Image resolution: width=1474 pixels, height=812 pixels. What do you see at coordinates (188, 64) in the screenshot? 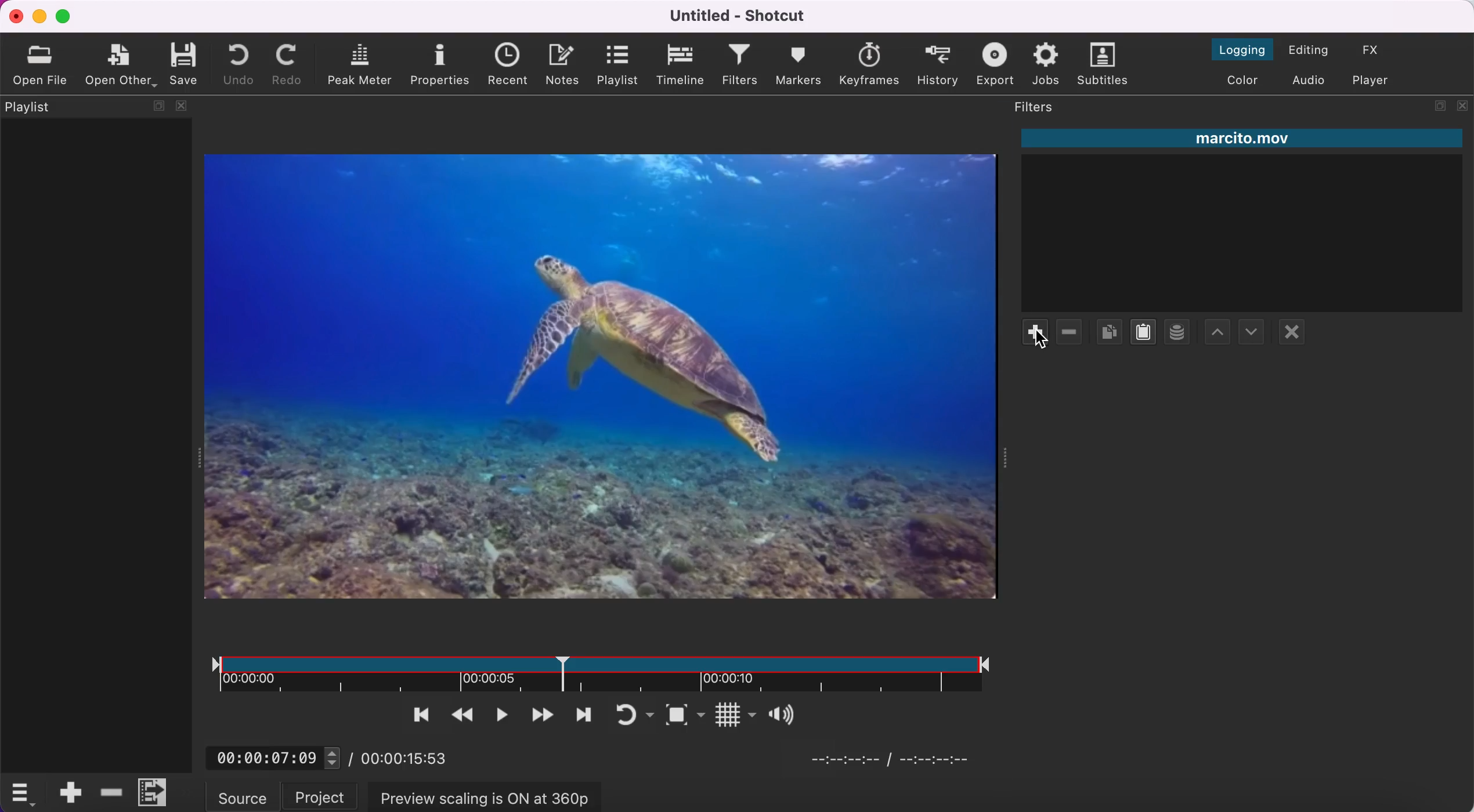
I see `save` at bounding box center [188, 64].